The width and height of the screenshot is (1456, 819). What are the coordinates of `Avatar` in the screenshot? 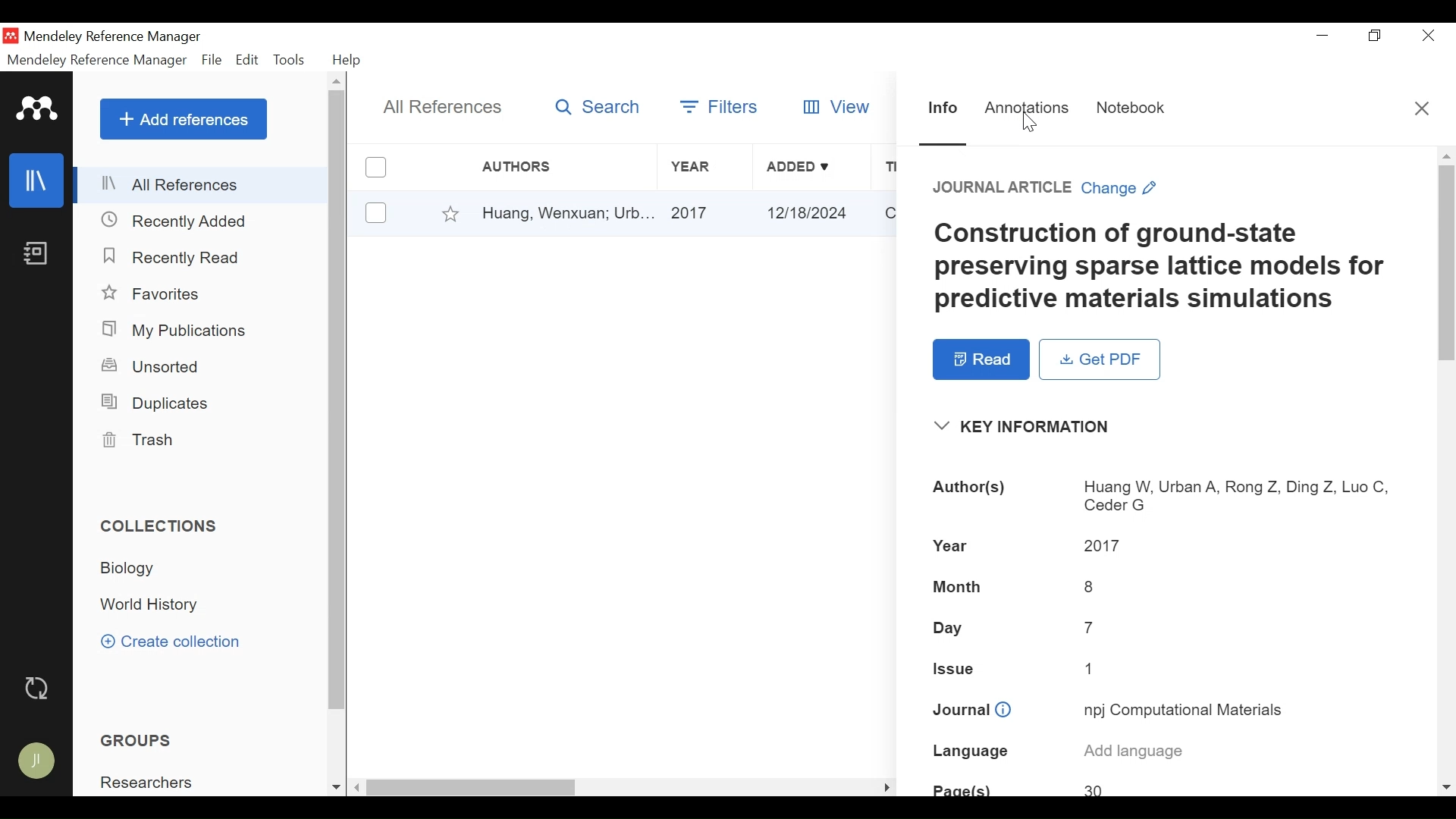 It's located at (39, 761).